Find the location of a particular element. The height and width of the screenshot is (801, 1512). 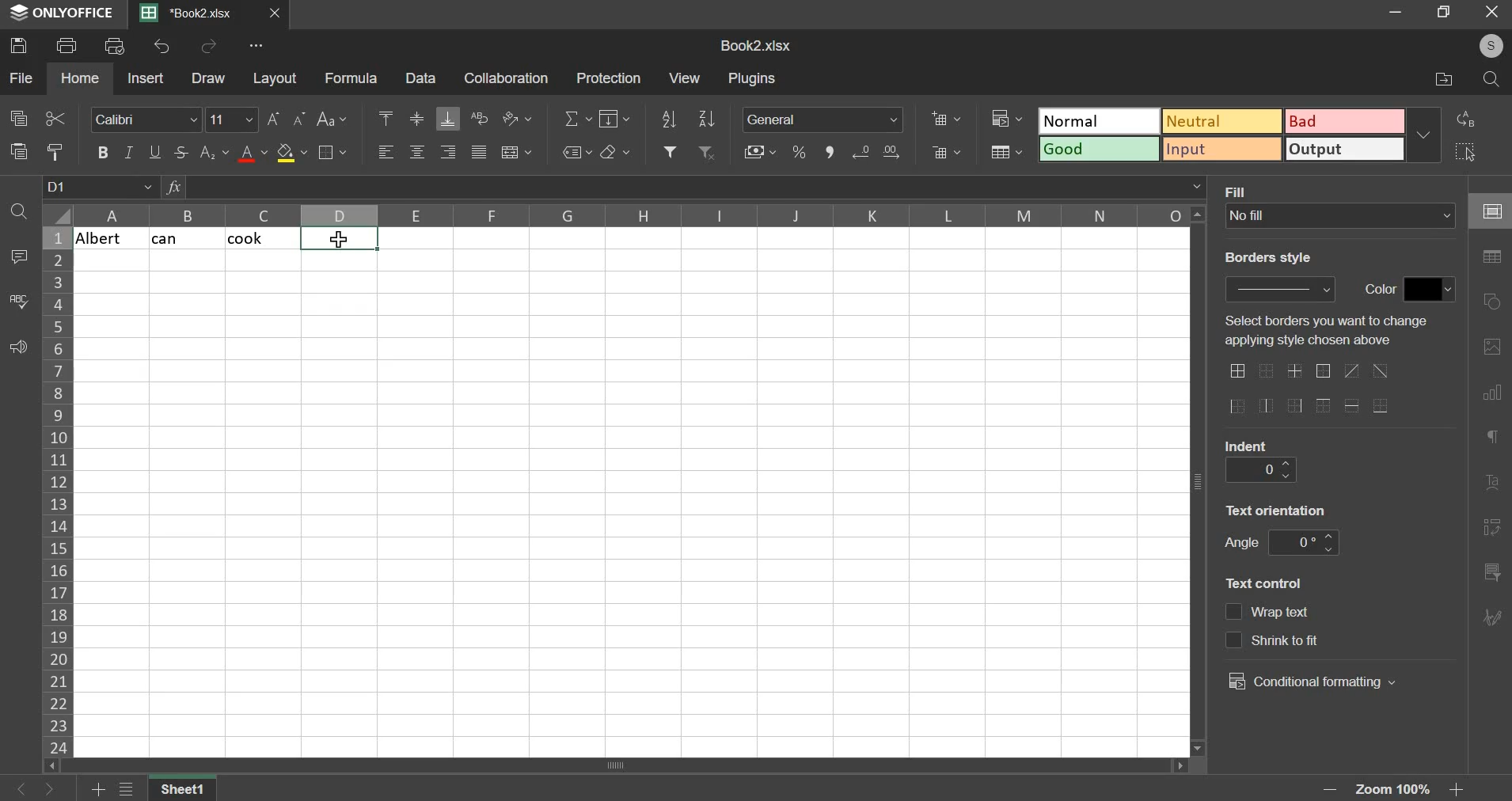

view more is located at coordinates (258, 46).